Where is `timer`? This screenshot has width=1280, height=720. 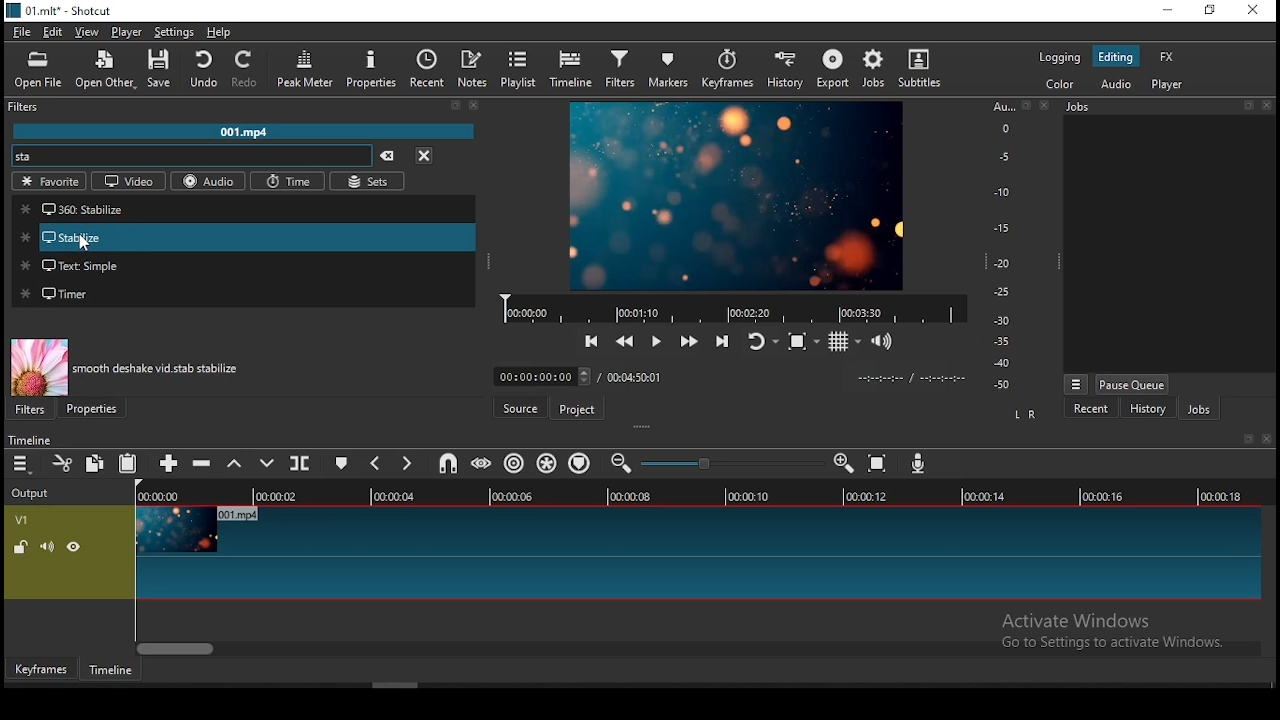
timer is located at coordinates (243, 294).